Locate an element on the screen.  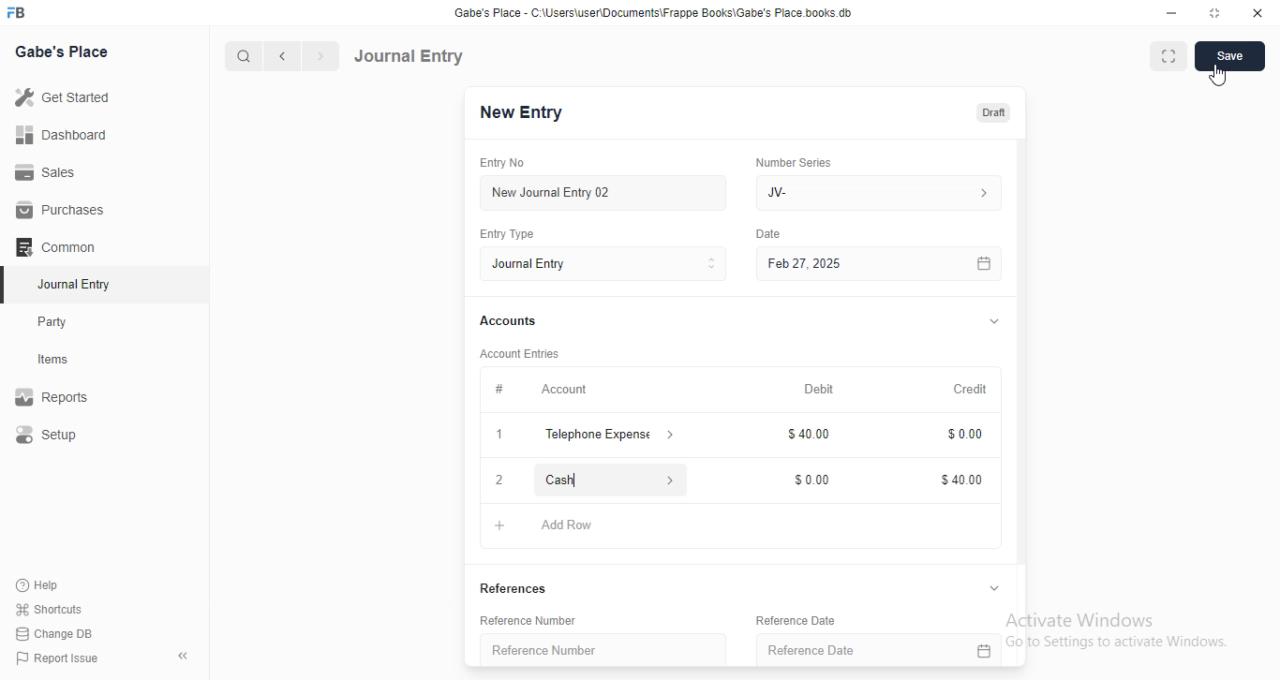
Minimize is located at coordinates (1172, 13).